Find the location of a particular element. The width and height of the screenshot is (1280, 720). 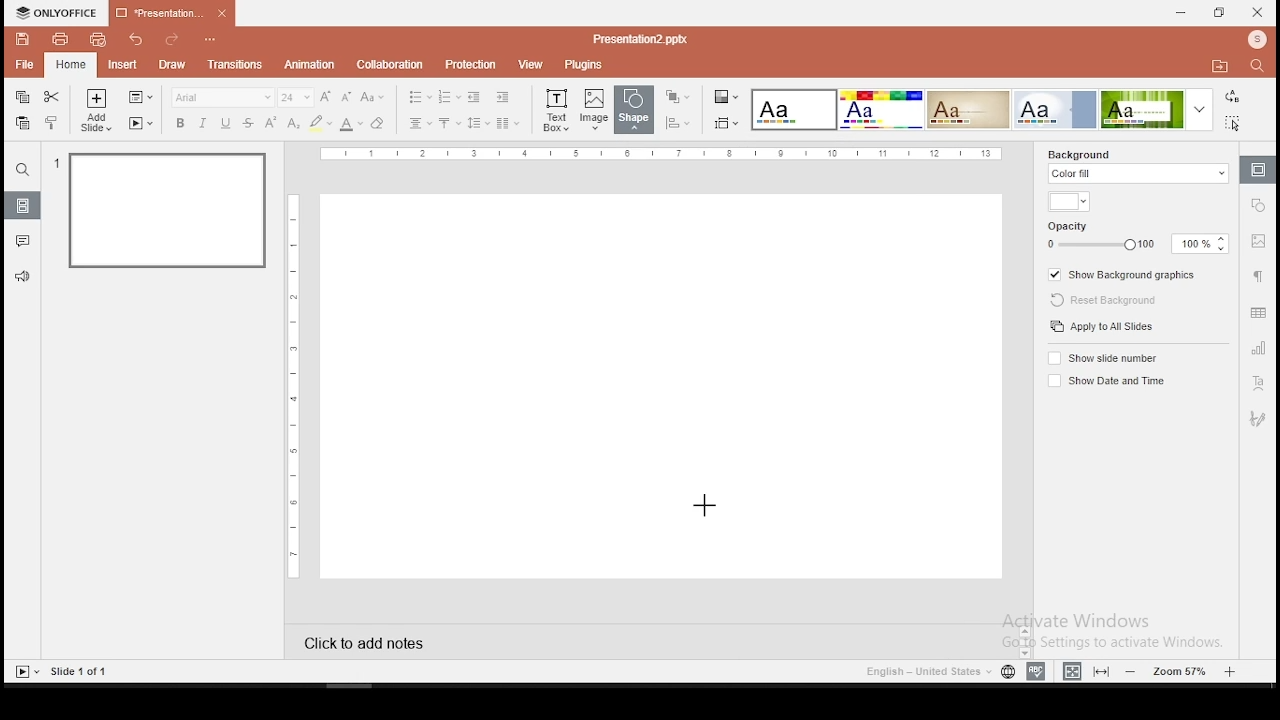

add slide is located at coordinates (96, 110).